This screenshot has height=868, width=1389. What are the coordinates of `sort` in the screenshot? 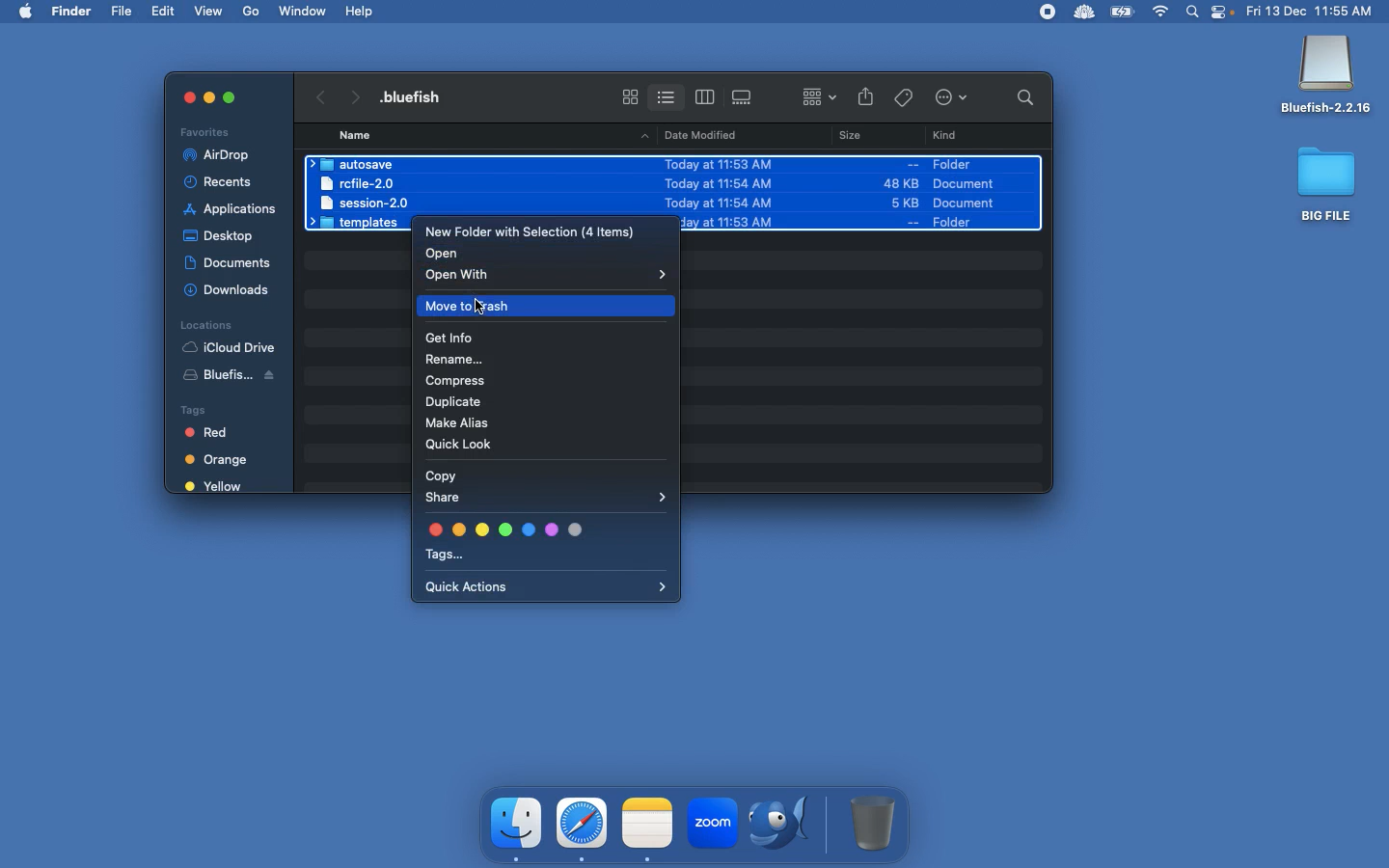 It's located at (819, 95).